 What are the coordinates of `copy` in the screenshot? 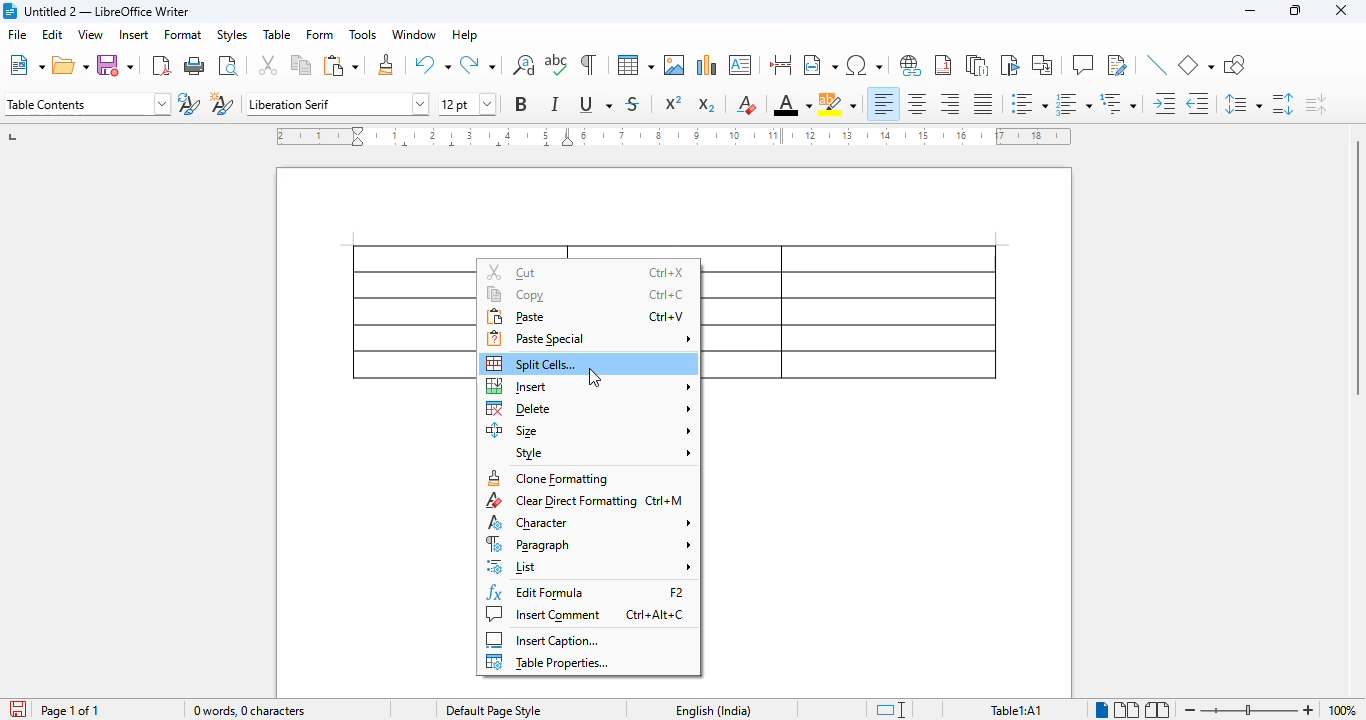 It's located at (517, 294).